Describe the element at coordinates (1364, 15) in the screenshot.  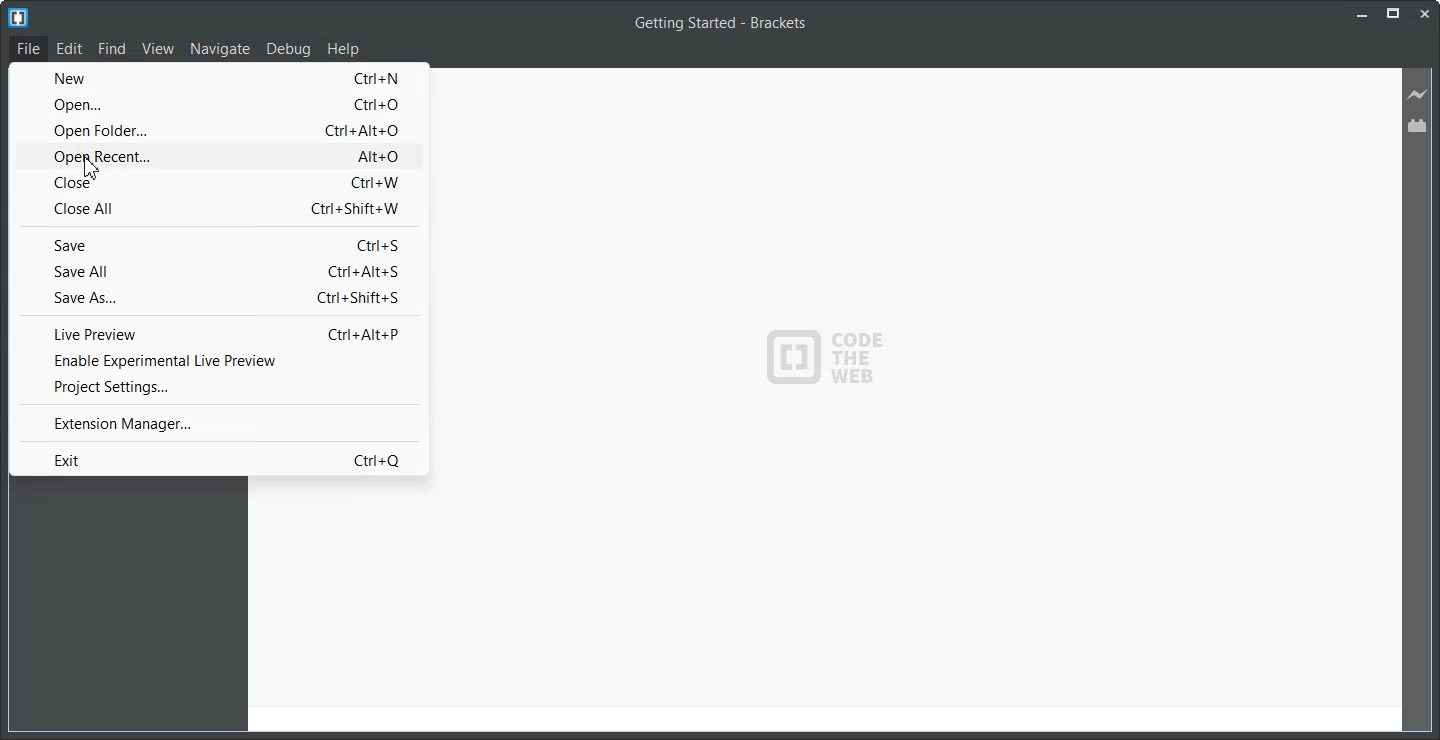
I see `Minimize` at that location.